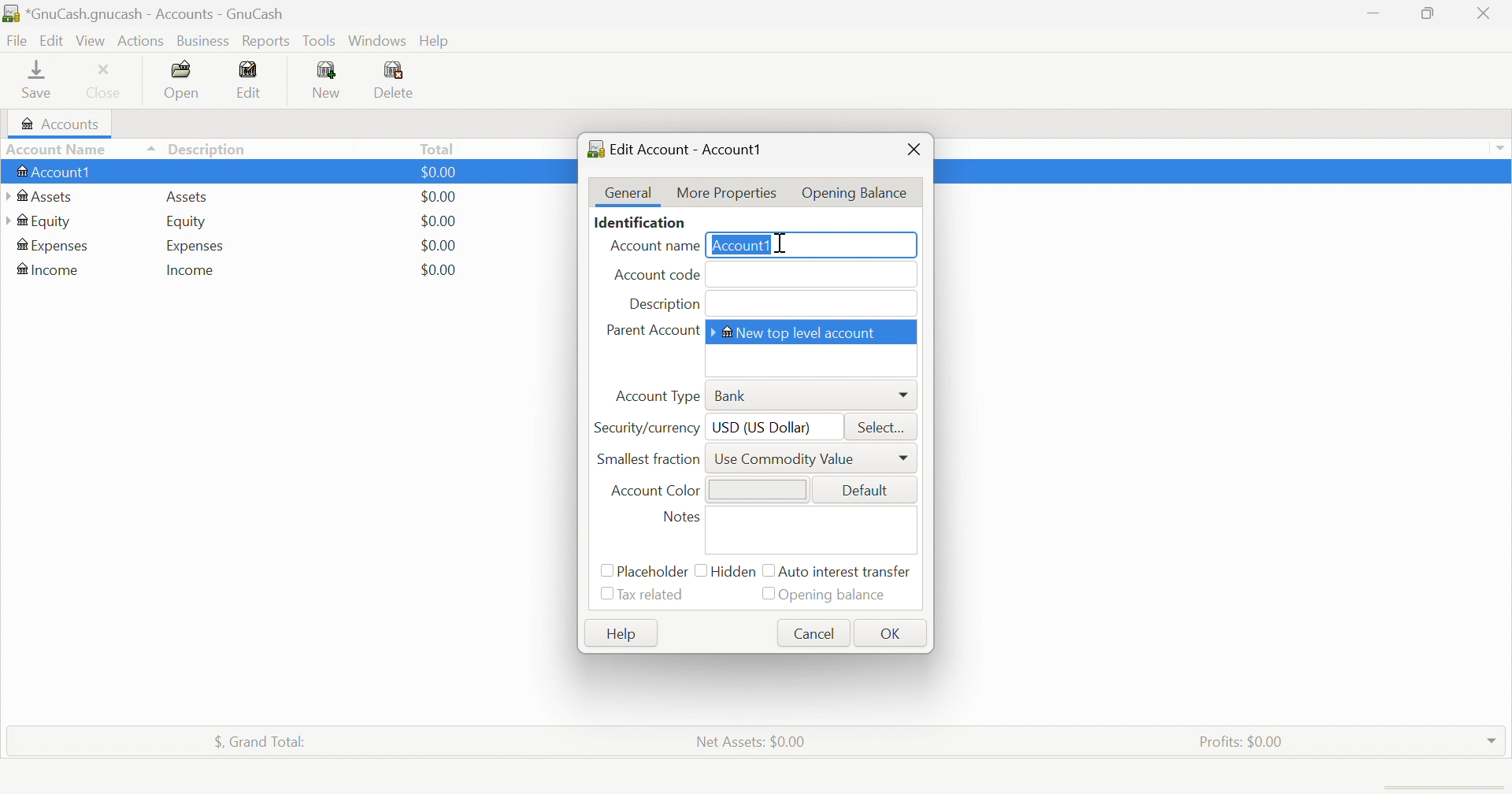 The width and height of the screenshot is (1512, 794). Describe the element at coordinates (82, 150) in the screenshot. I see `Account Name` at that location.